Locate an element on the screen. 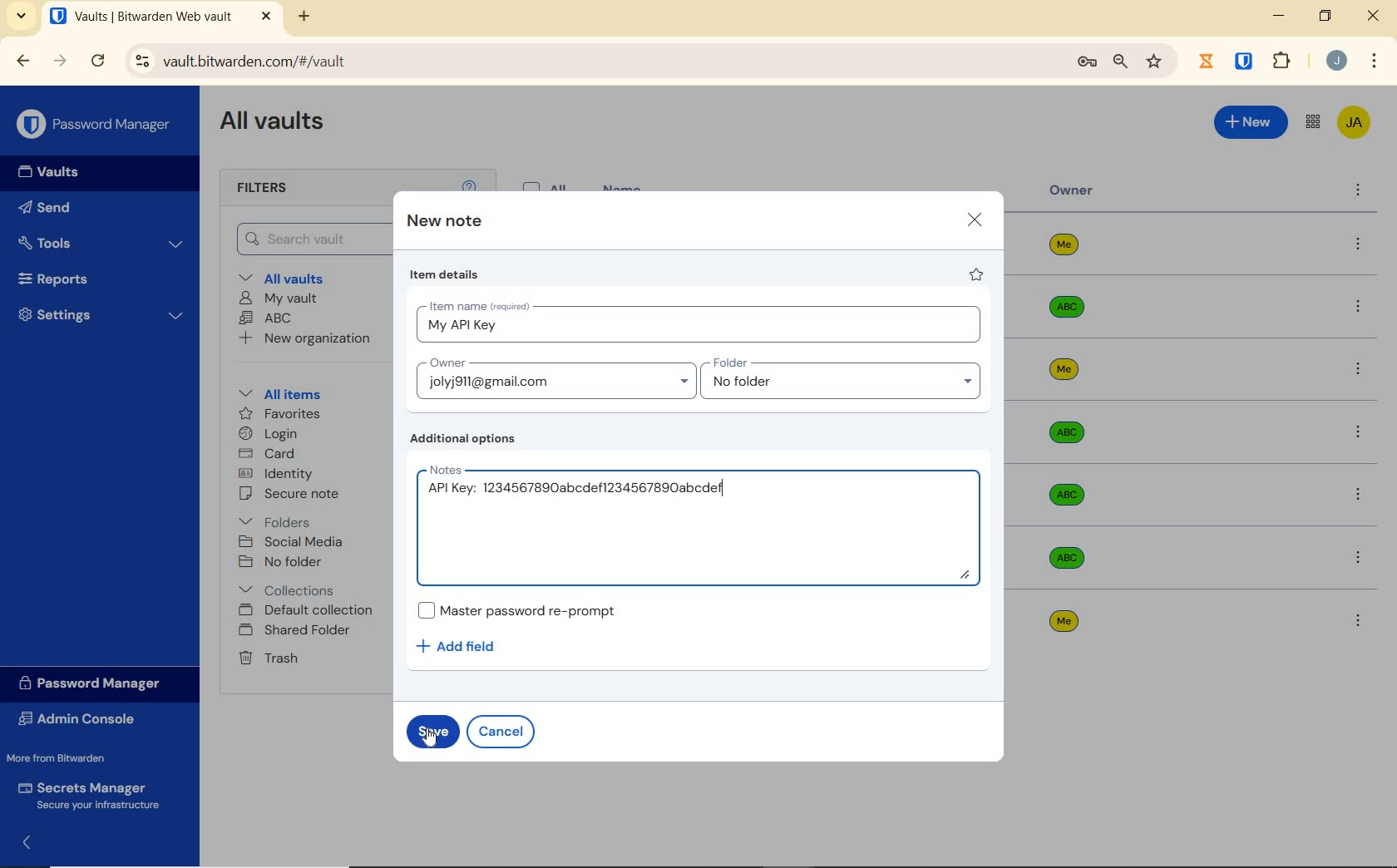 The image size is (1397, 868). cursor is located at coordinates (428, 741).